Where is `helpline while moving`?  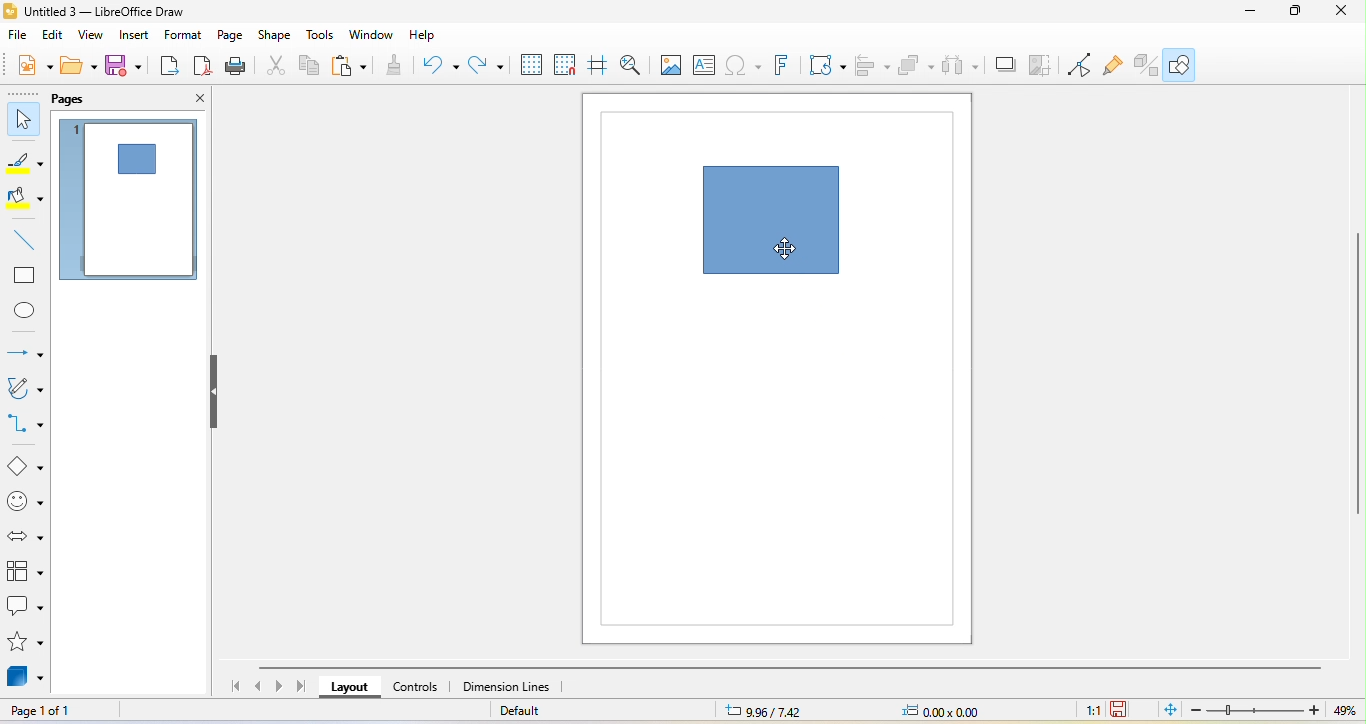
helpline while moving is located at coordinates (600, 67).